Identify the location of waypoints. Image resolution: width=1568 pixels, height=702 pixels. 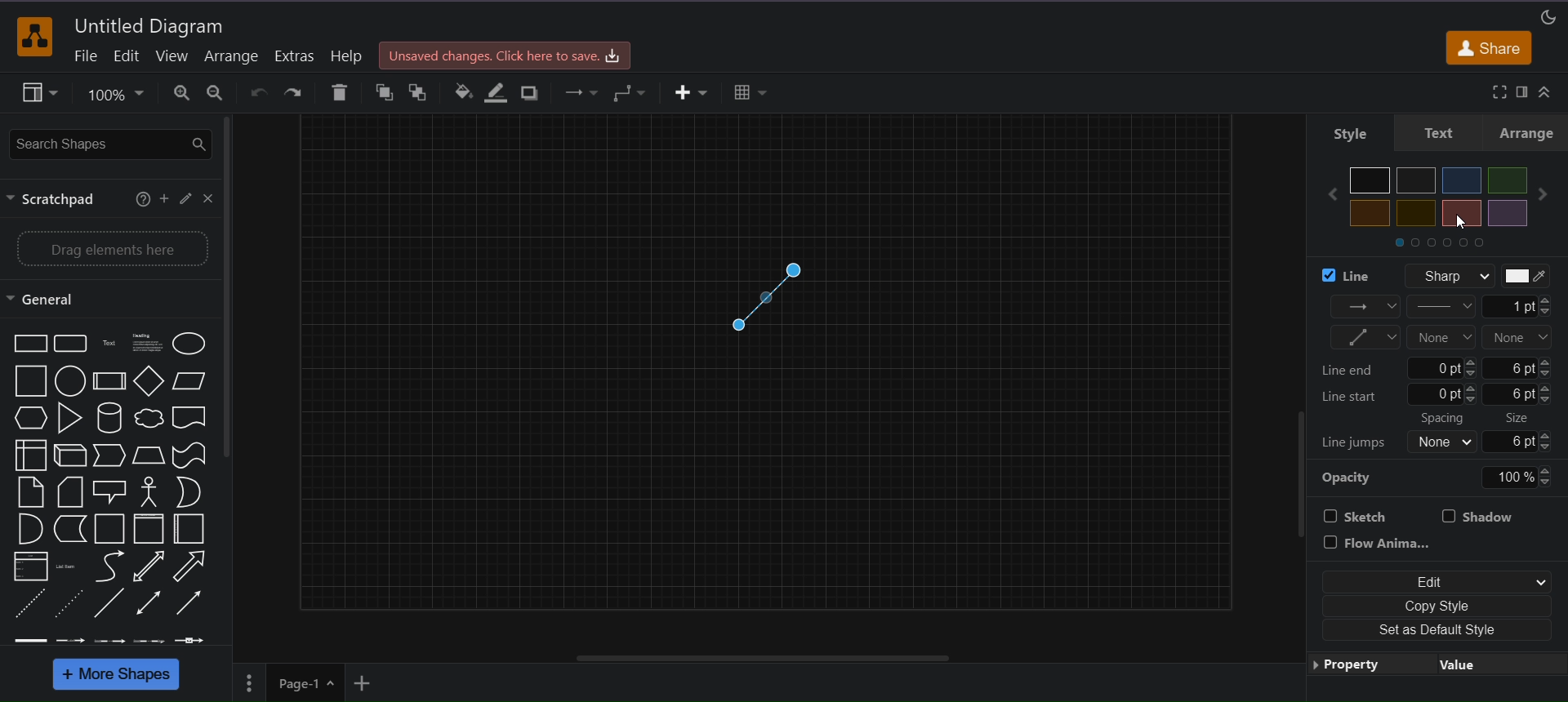
(1365, 338).